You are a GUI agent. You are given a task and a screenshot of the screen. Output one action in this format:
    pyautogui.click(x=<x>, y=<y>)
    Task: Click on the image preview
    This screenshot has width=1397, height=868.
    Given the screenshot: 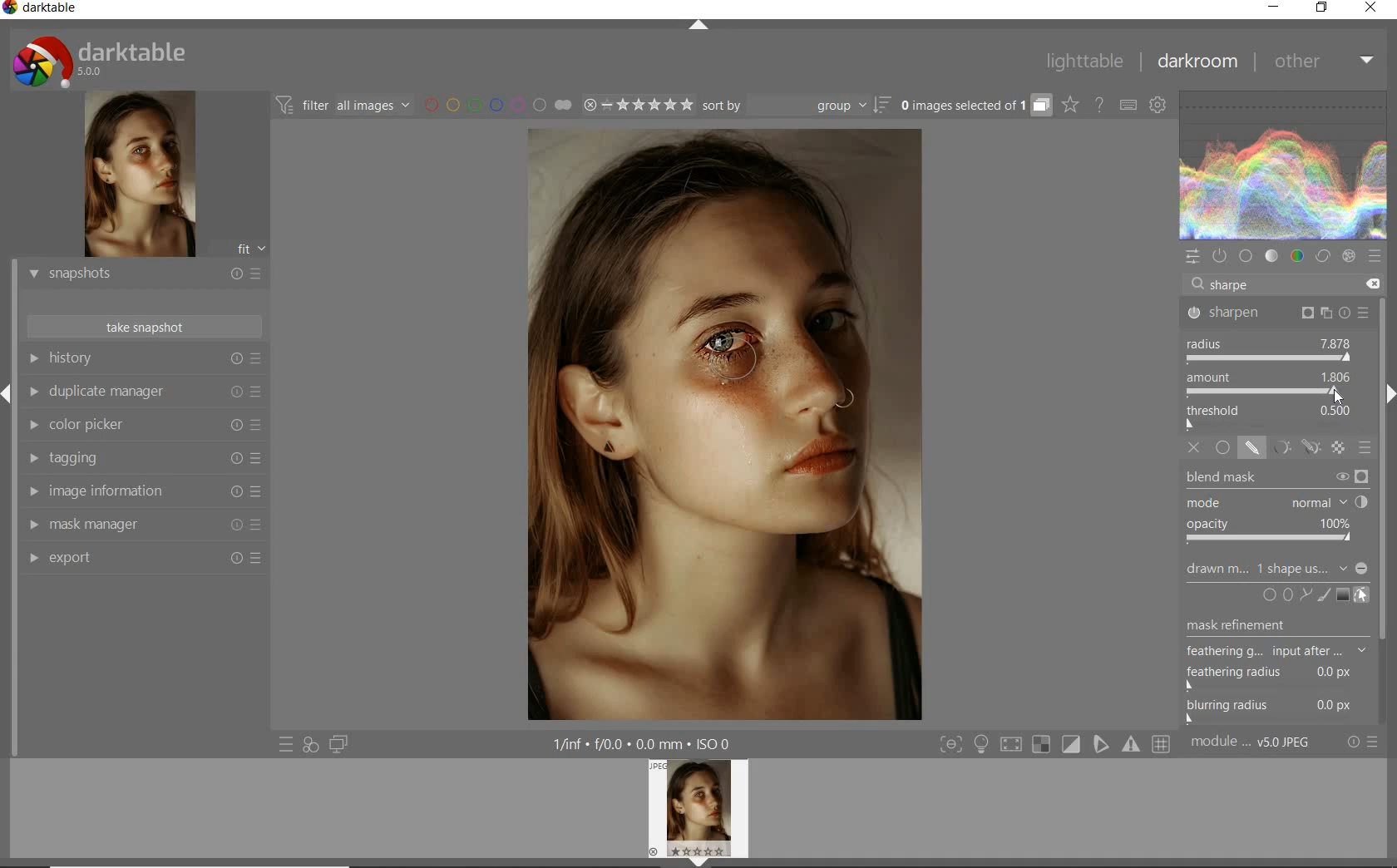 What is the action you would take?
    pyautogui.click(x=137, y=176)
    